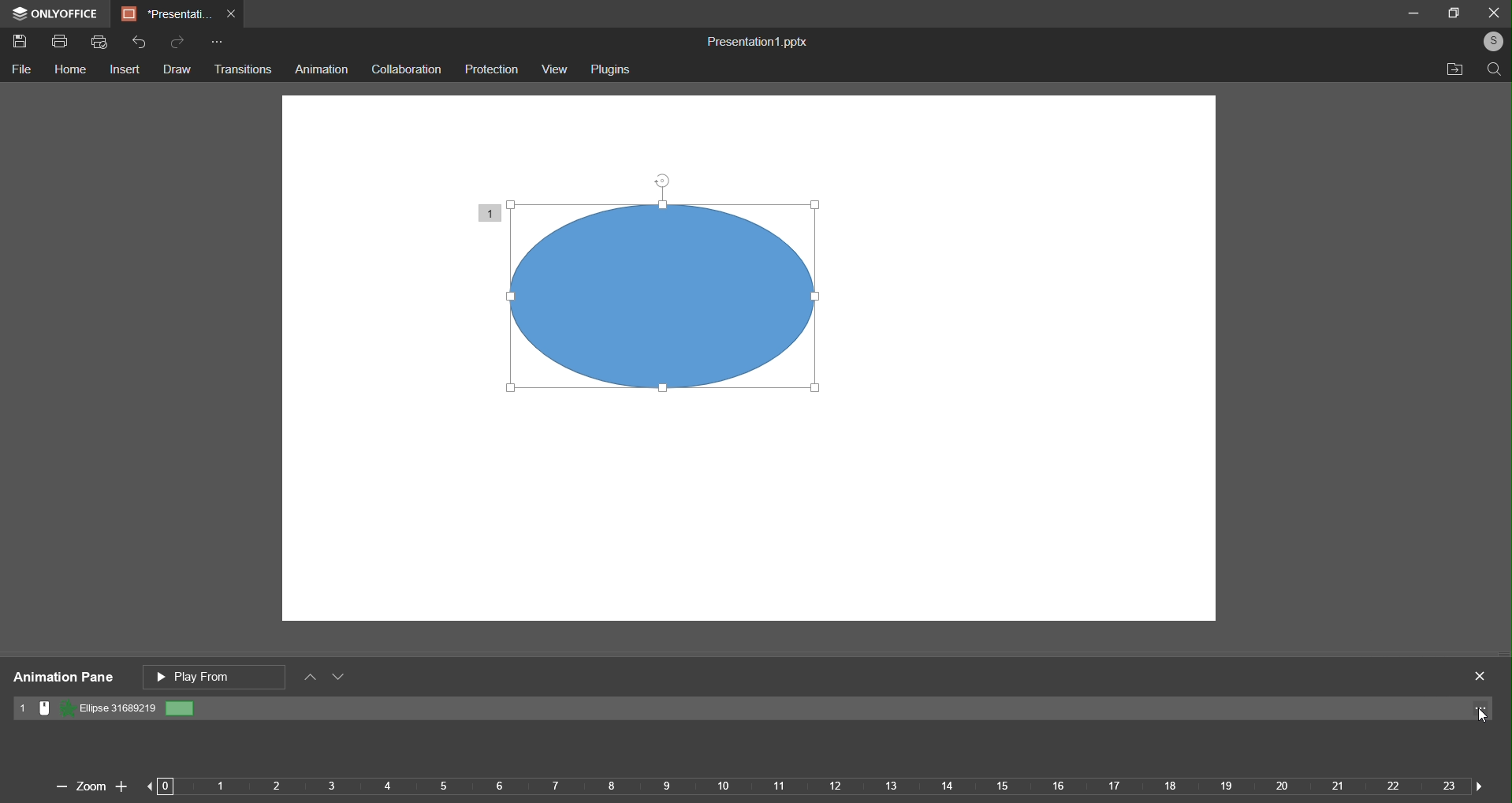 This screenshot has width=1512, height=803. What do you see at coordinates (166, 14) in the screenshot?
I see `Current Tab` at bounding box center [166, 14].